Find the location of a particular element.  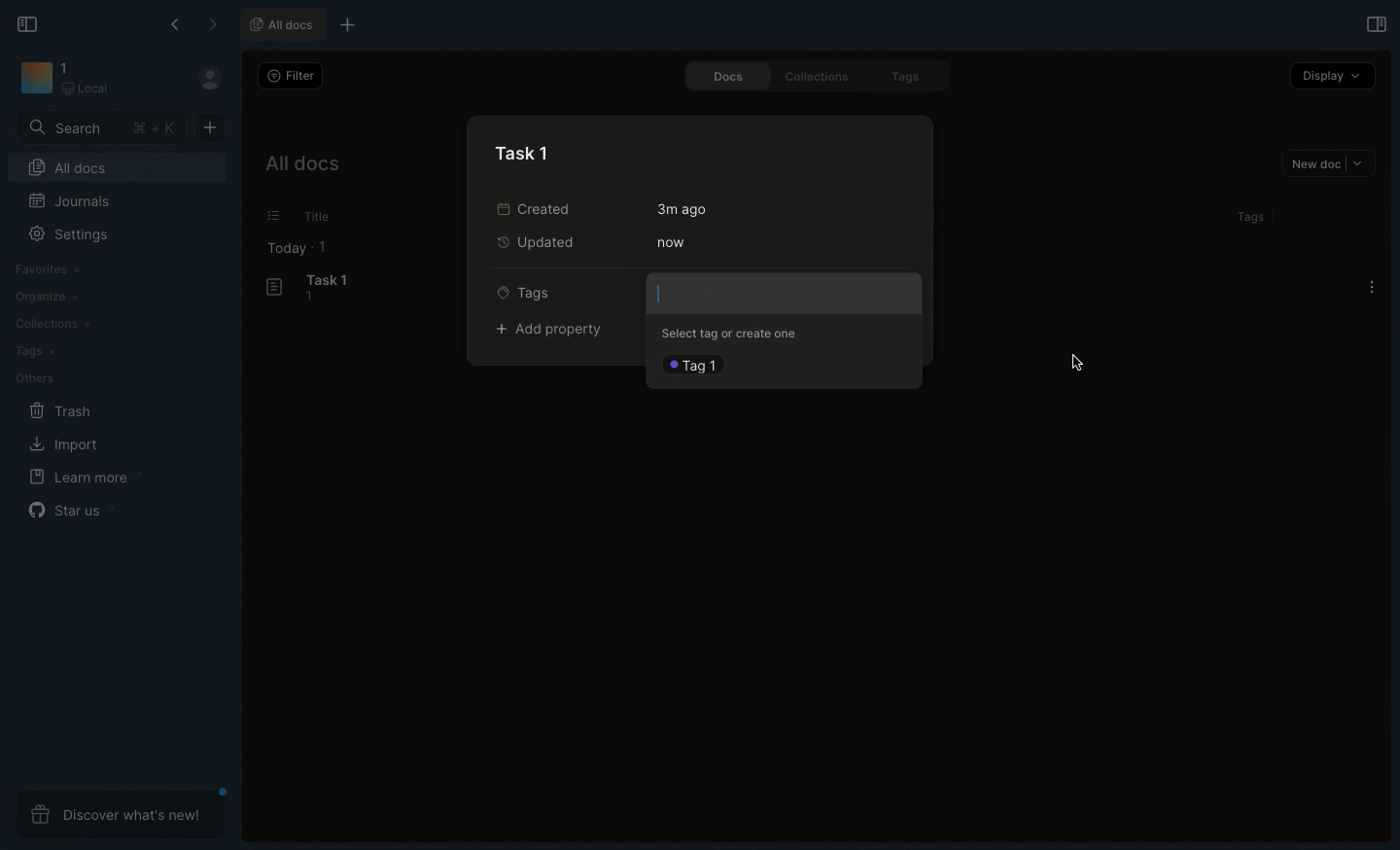

All docs is located at coordinates (303, 165).